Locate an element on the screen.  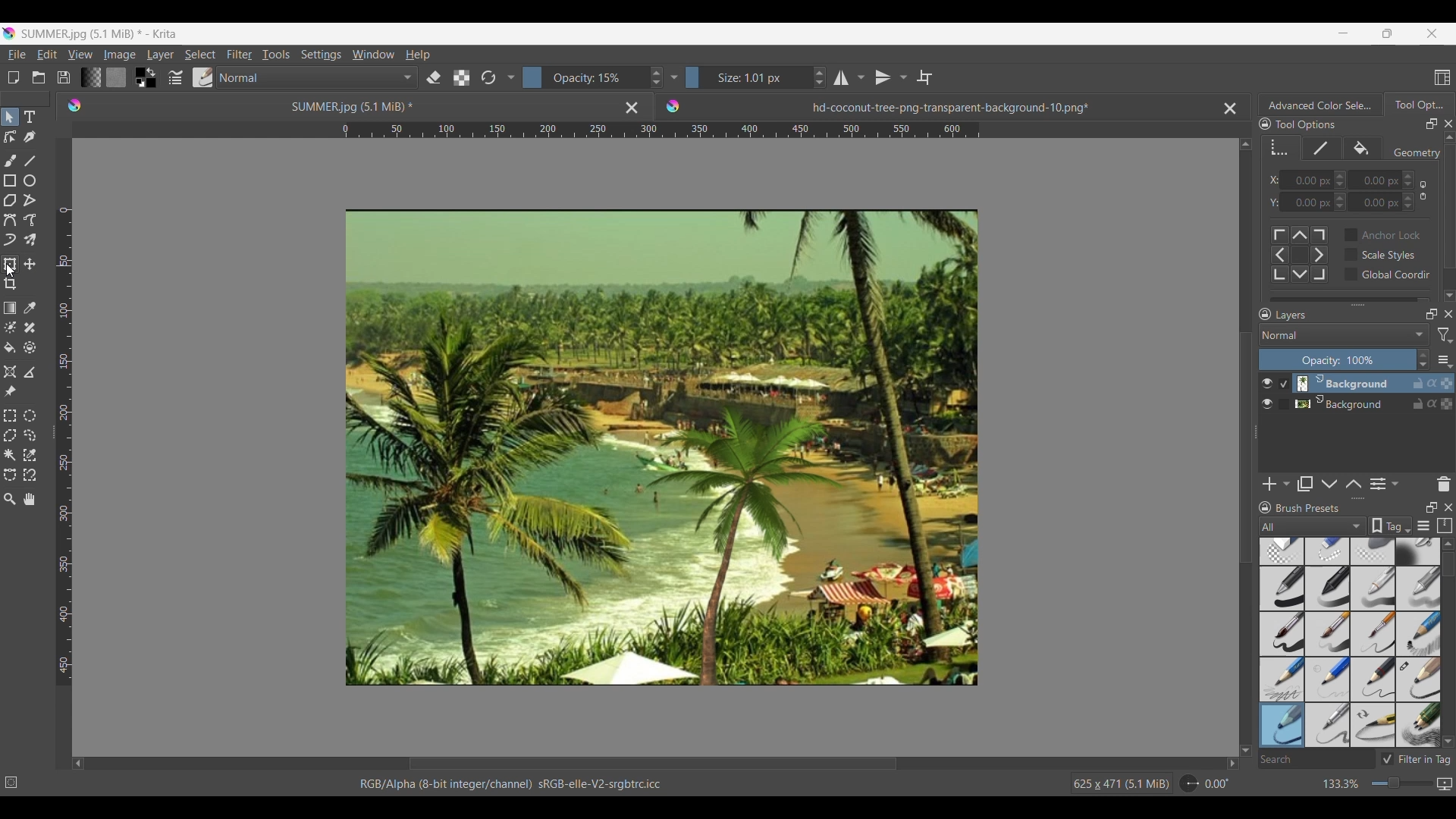
Opacity options is located at coordinates (673, 77).